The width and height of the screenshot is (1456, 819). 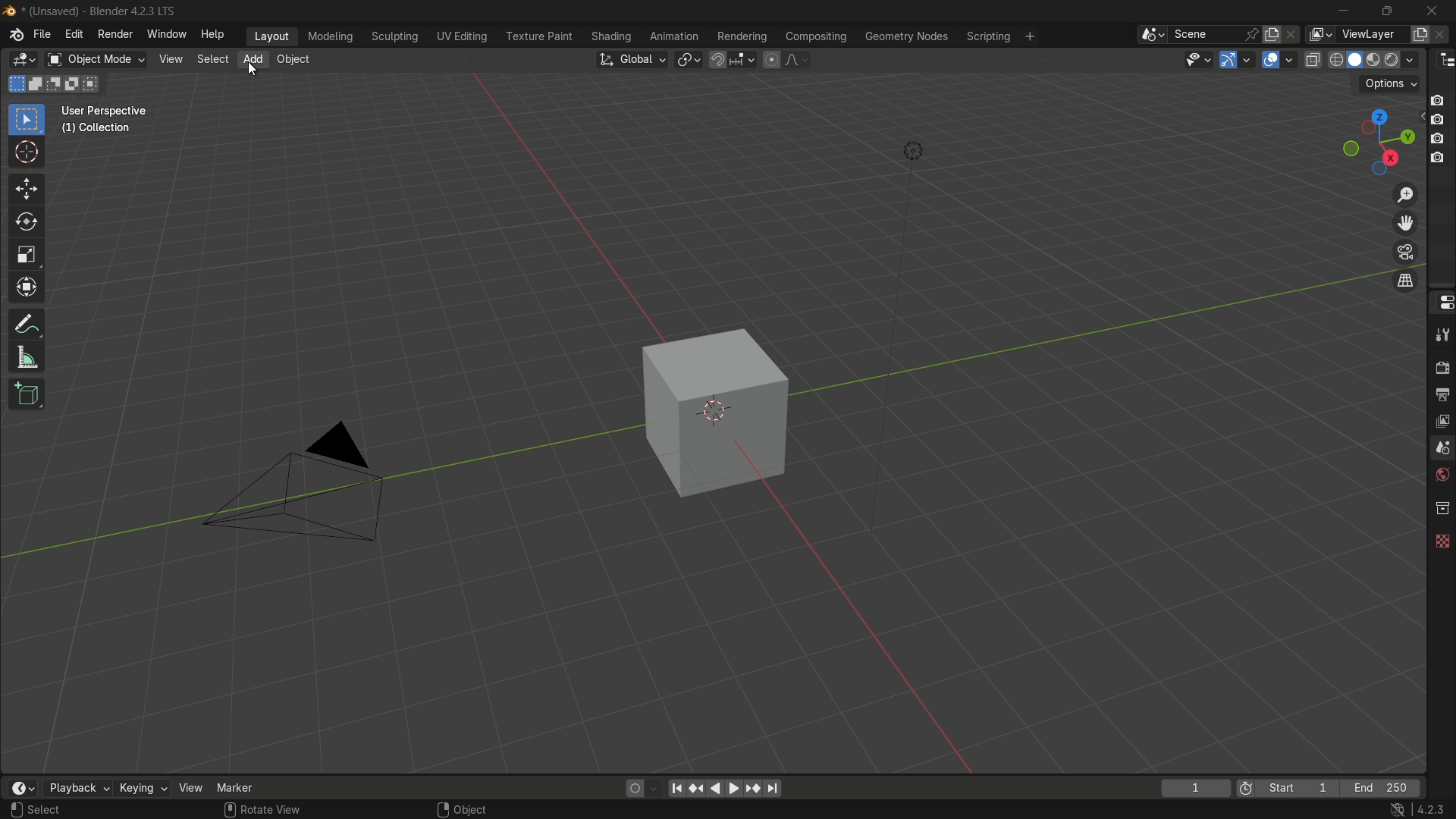 What do you see at coordinates (1444, 35) in the screenshot?
I see `remove view layer` at bounding box center [1444, 35].